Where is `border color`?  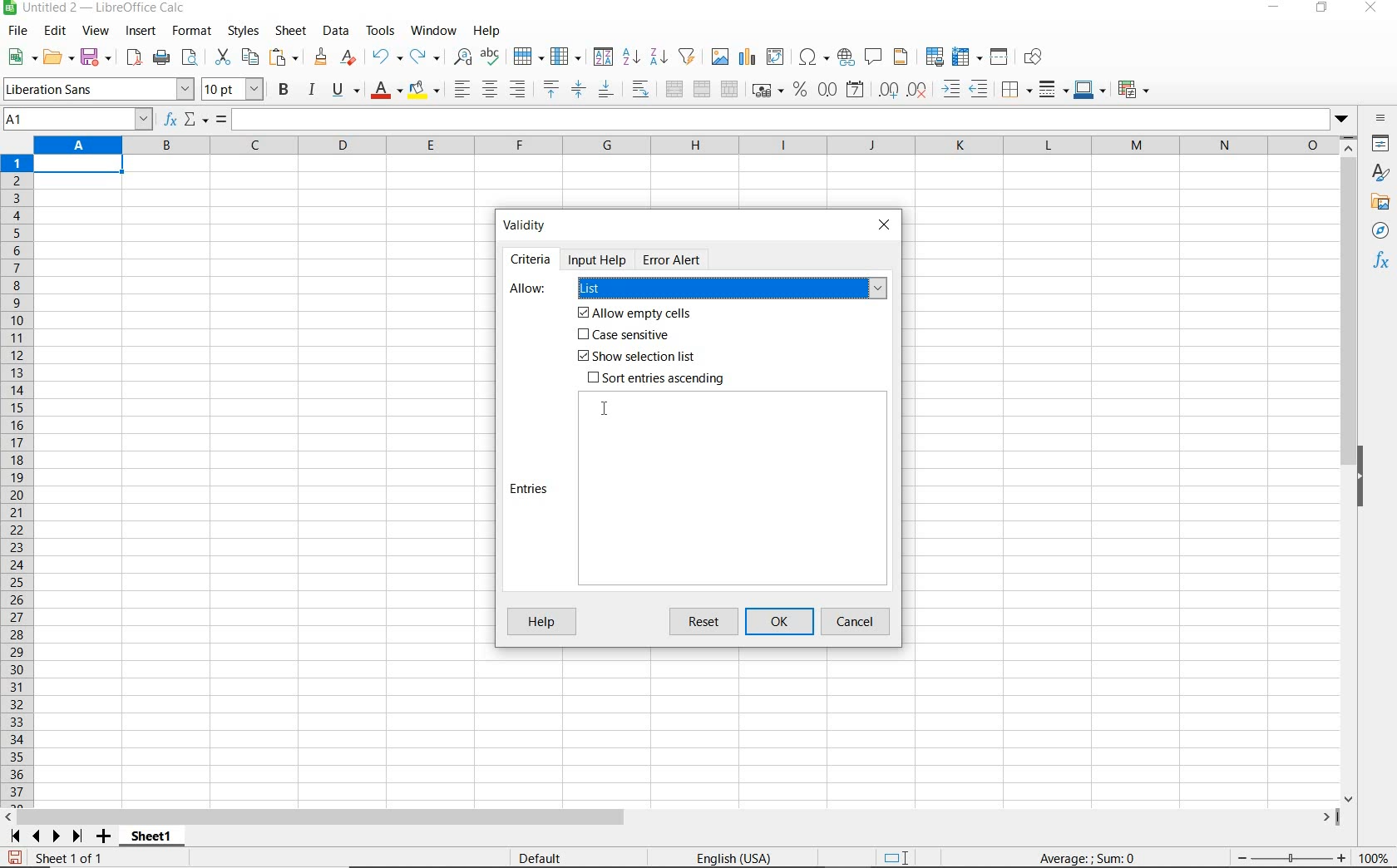 border color is located at coordinates (1089, 89).